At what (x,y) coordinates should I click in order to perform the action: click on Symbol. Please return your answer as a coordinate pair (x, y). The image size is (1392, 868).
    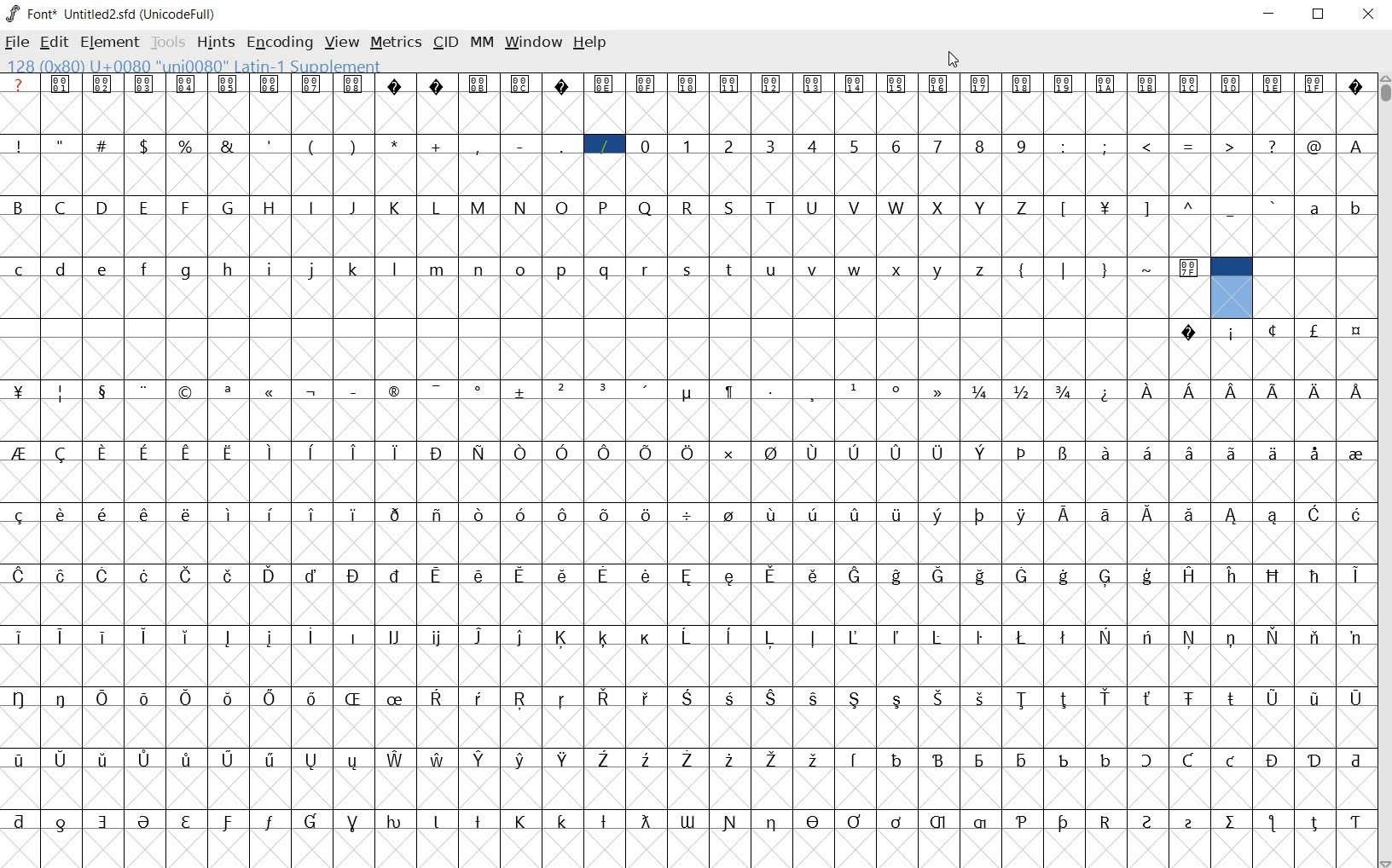
    Looking at the image, I should click on (188, 391).